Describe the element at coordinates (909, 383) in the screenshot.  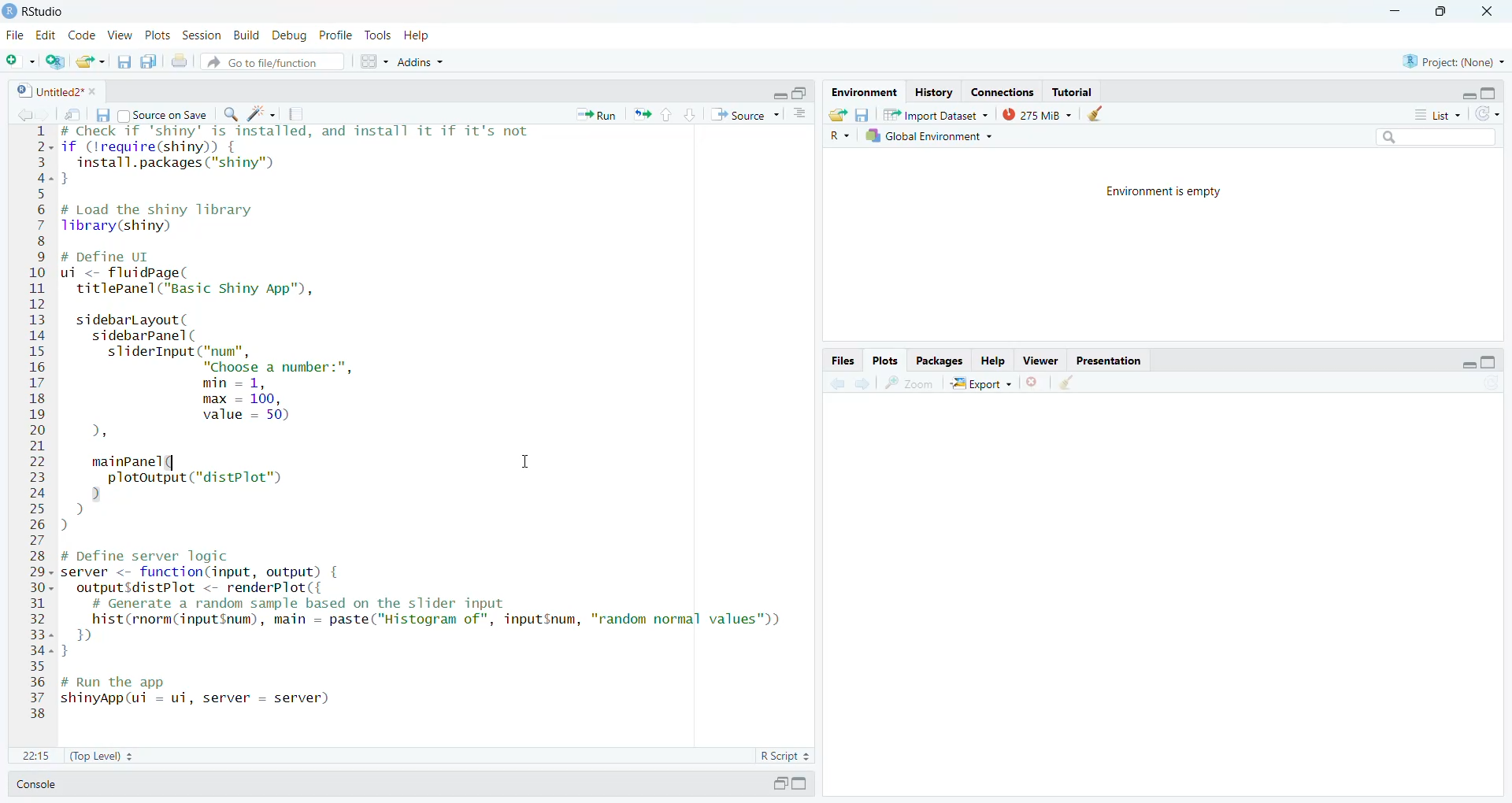
I see `Zoom` at that location.